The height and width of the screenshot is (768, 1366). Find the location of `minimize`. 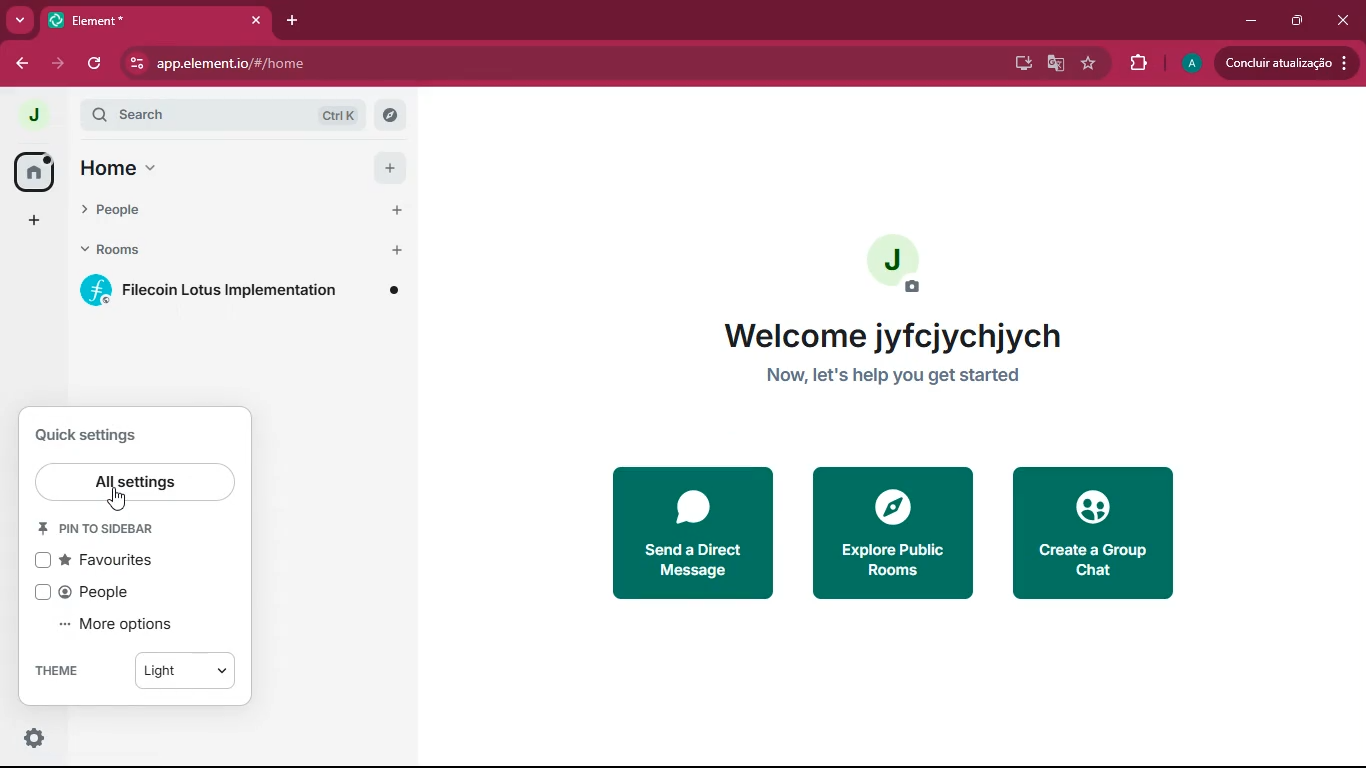

minimize is located at coordinates (1253, 22).